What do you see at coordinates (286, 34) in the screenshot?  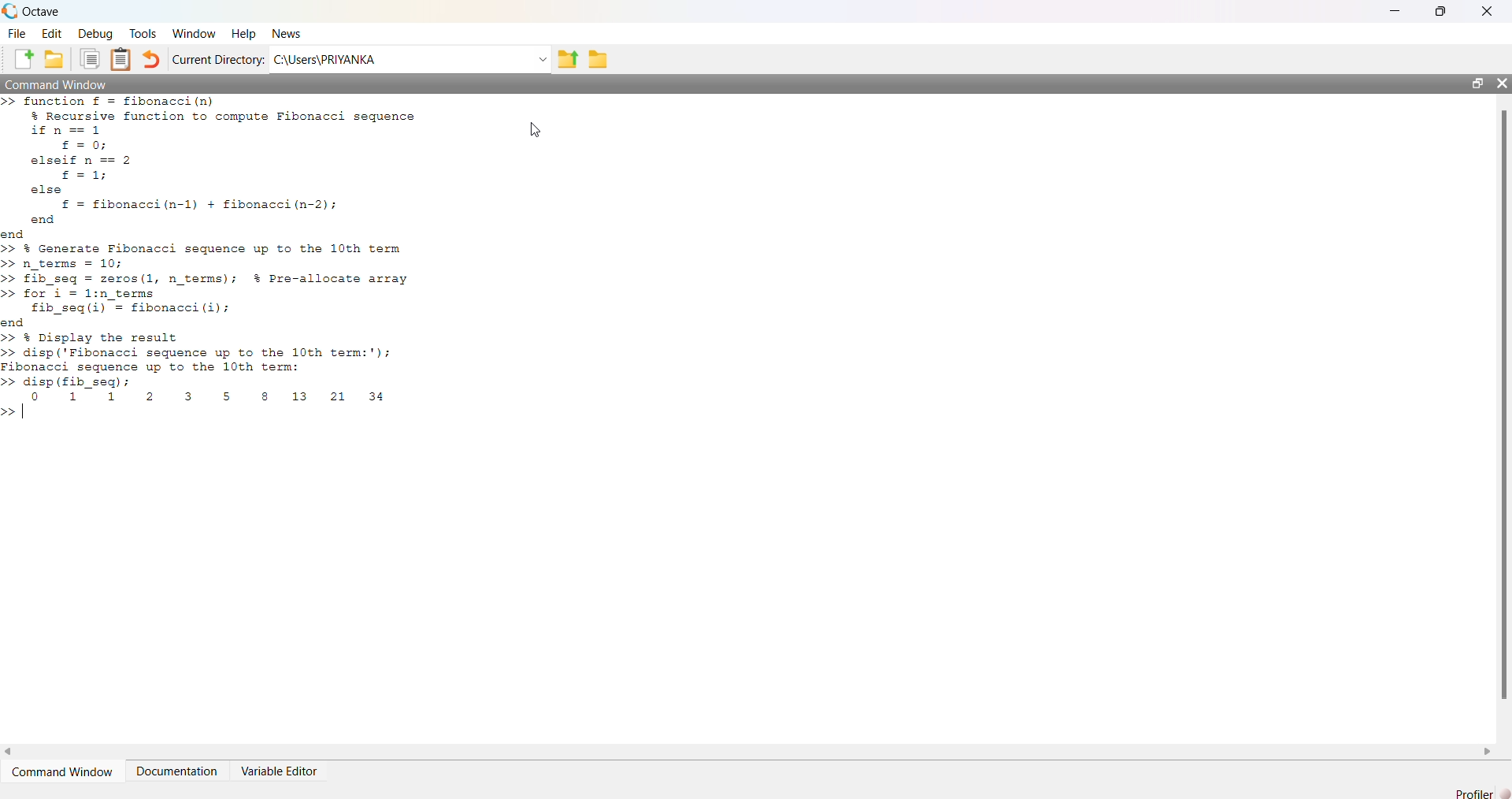 I see `News` at bounding box center [286, 34].